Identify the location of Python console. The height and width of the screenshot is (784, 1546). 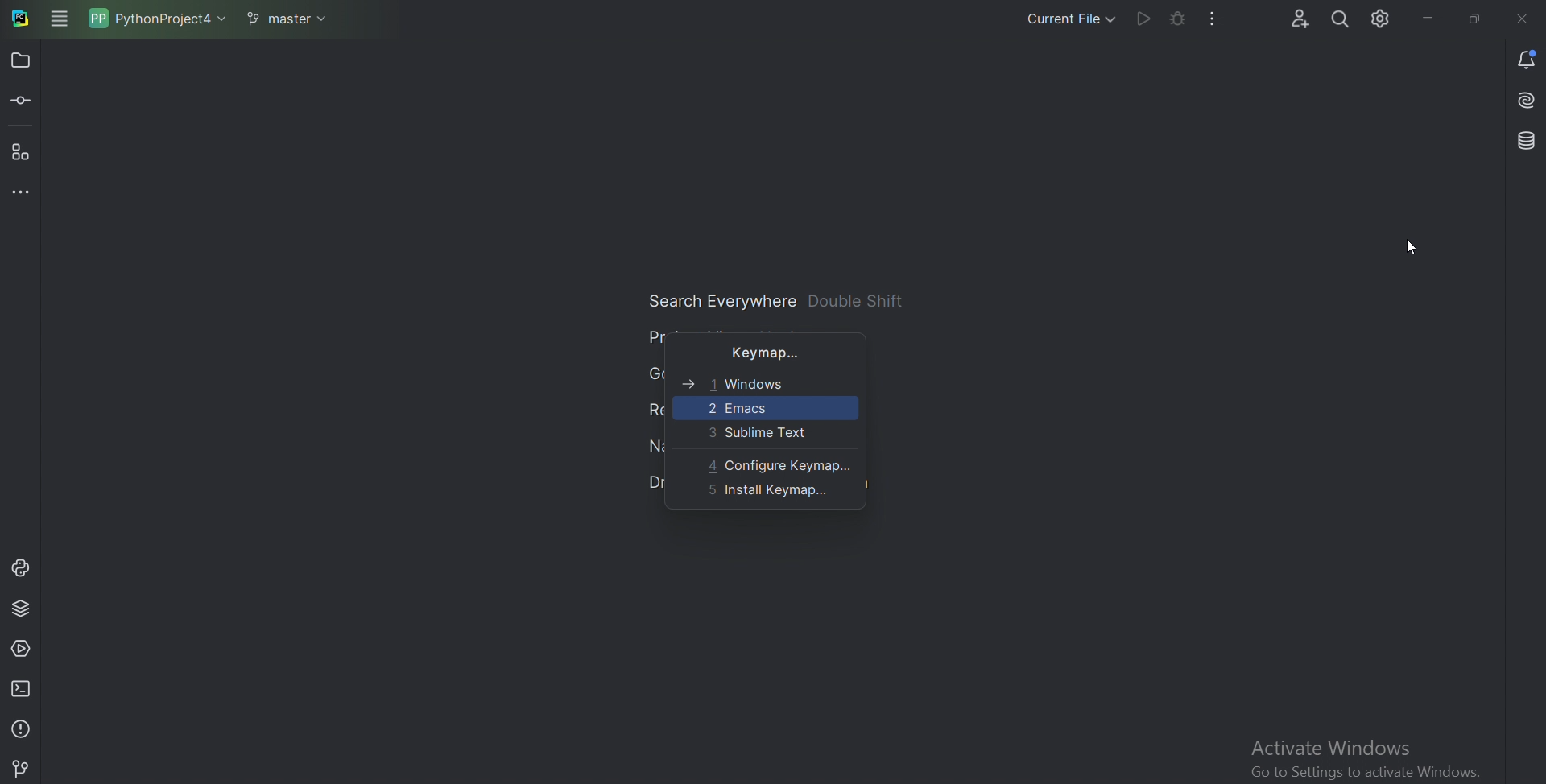
(22, 567).